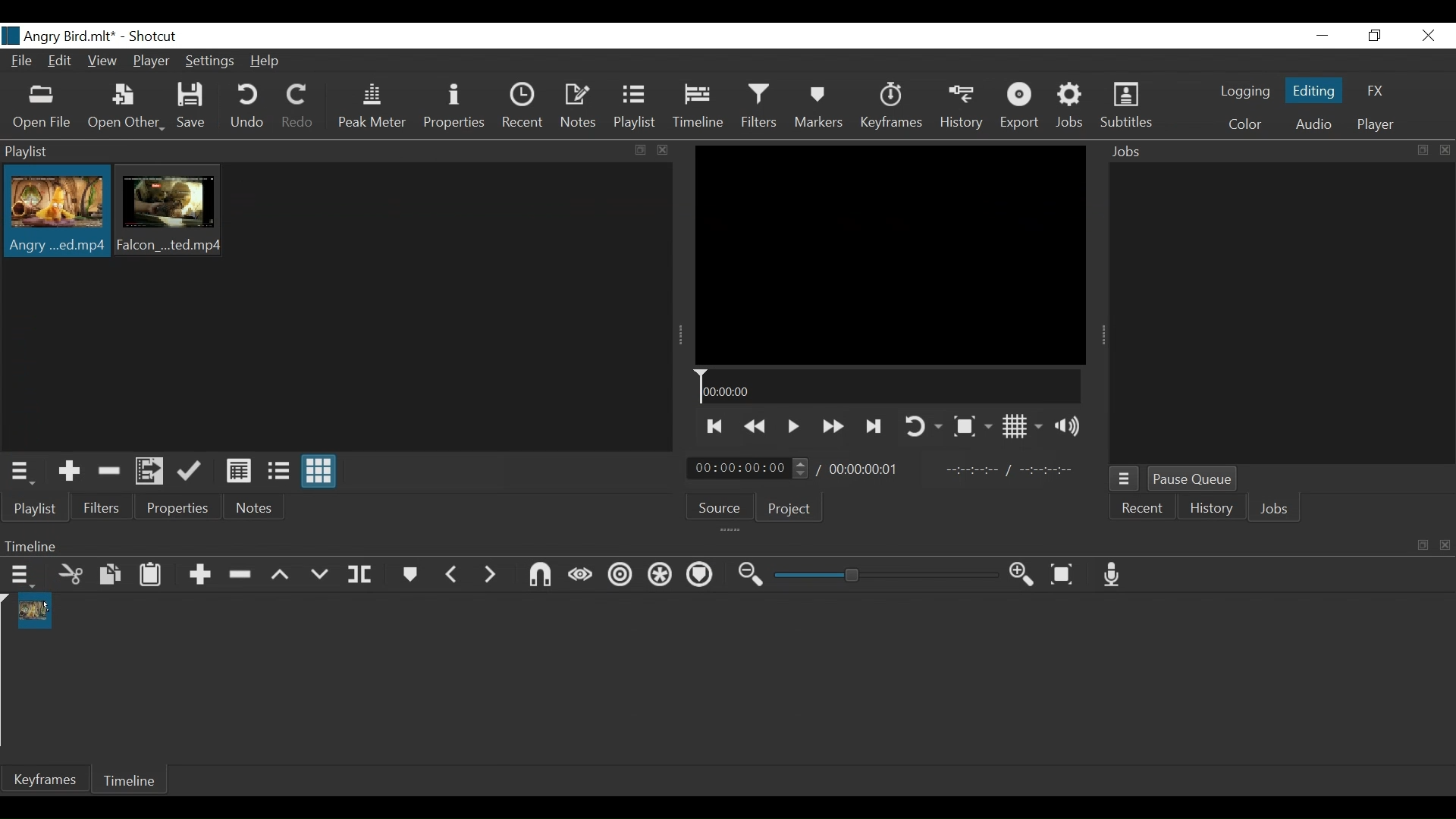 The image size is (1456, 819). Describe the element at coordinates (789, 509) in the screenshot. I see `Project` at that location.